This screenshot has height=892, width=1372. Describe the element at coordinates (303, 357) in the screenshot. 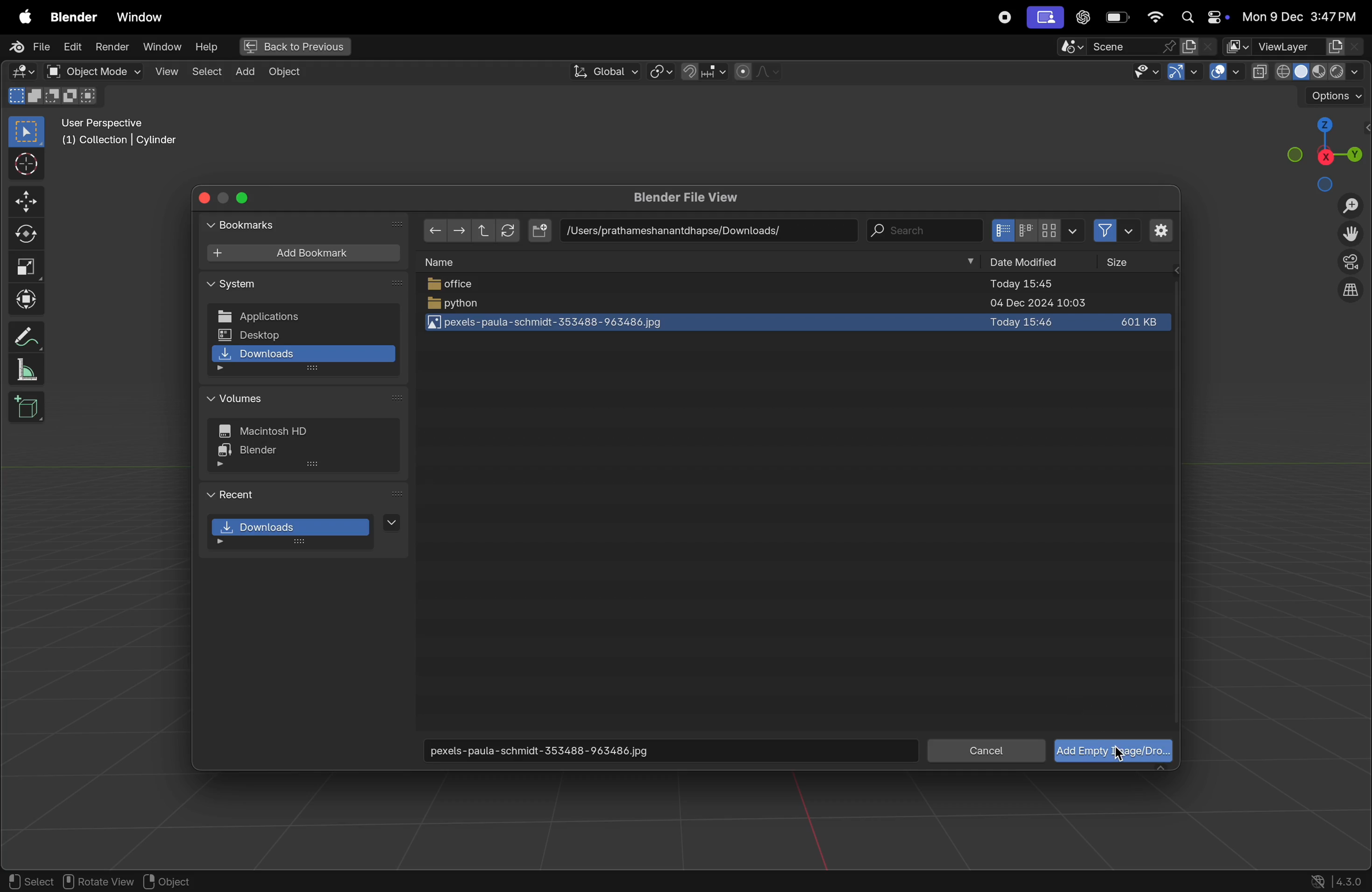

I see `downloads` at that location.